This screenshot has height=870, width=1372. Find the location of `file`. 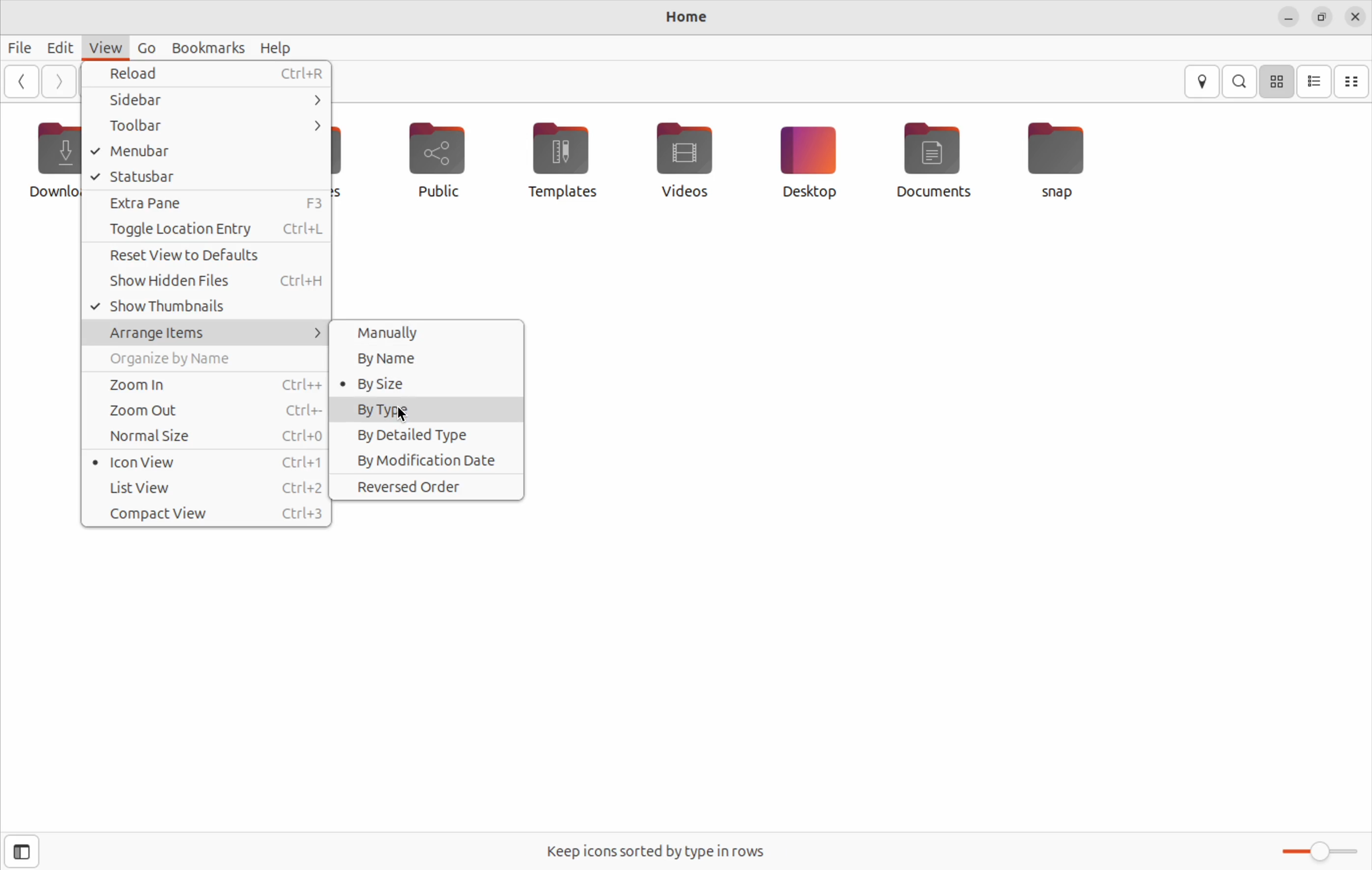

file is located at coordinates (17, 47).